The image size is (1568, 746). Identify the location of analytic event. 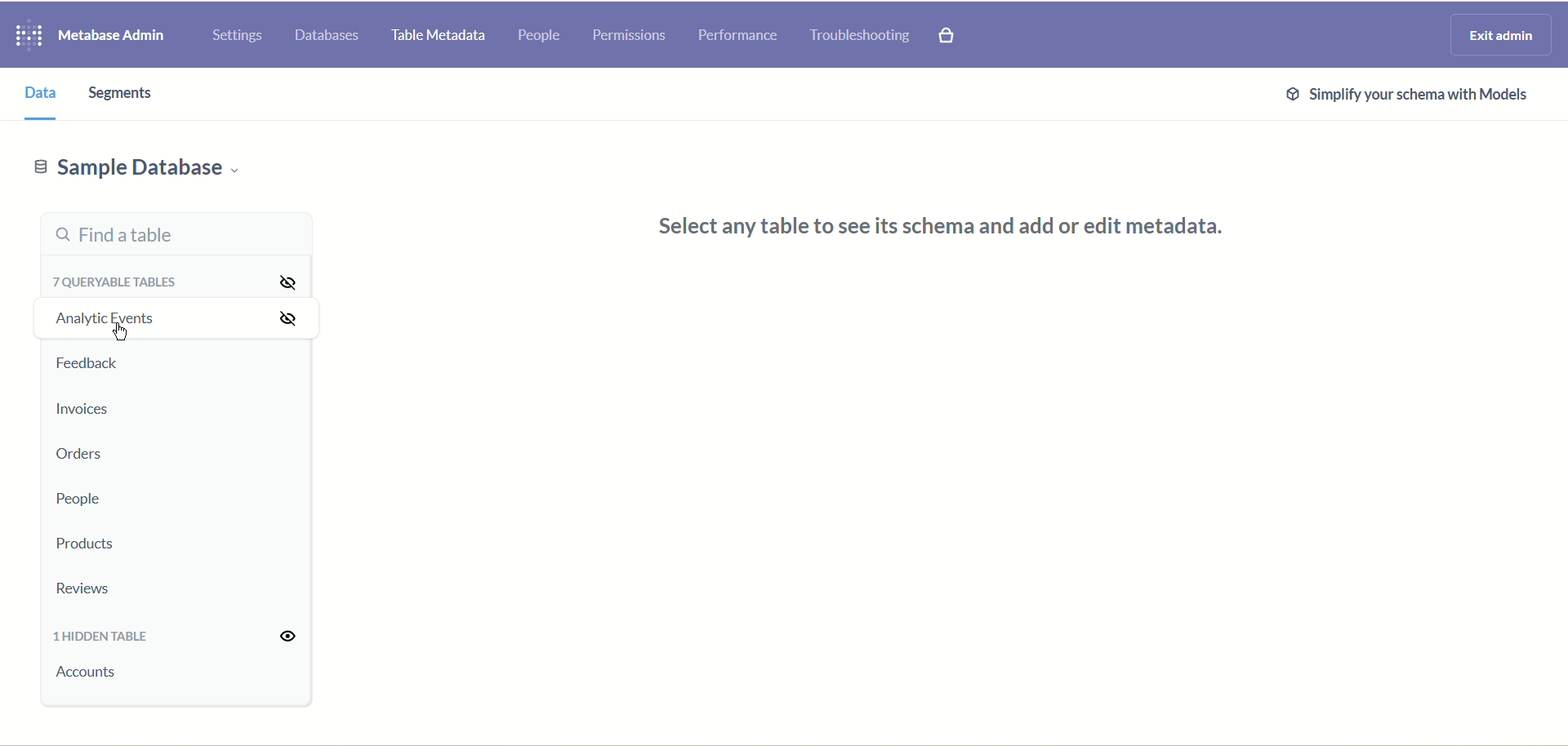
(102, 317).